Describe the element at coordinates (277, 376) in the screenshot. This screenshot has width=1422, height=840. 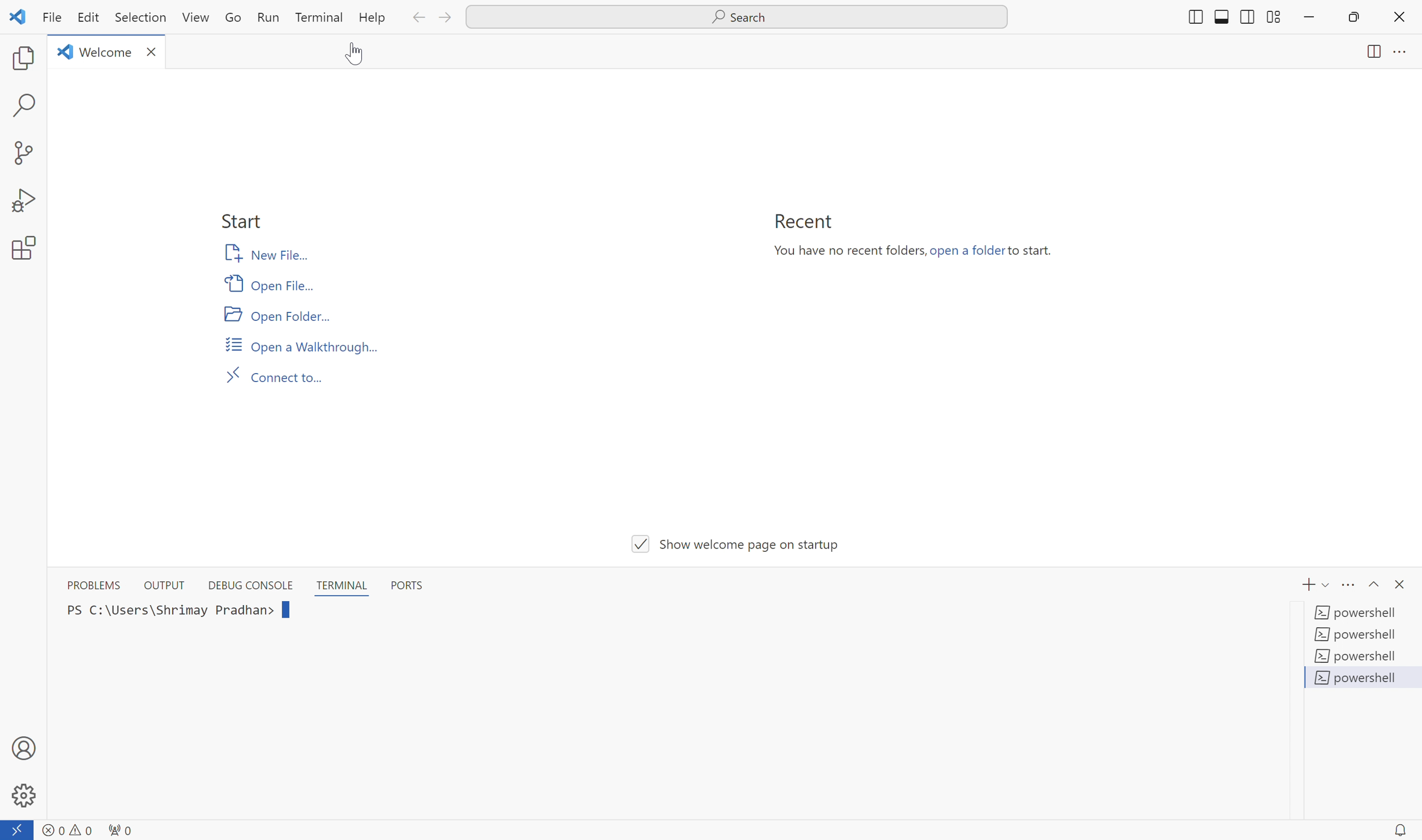
I see `Connect to...` at that location.